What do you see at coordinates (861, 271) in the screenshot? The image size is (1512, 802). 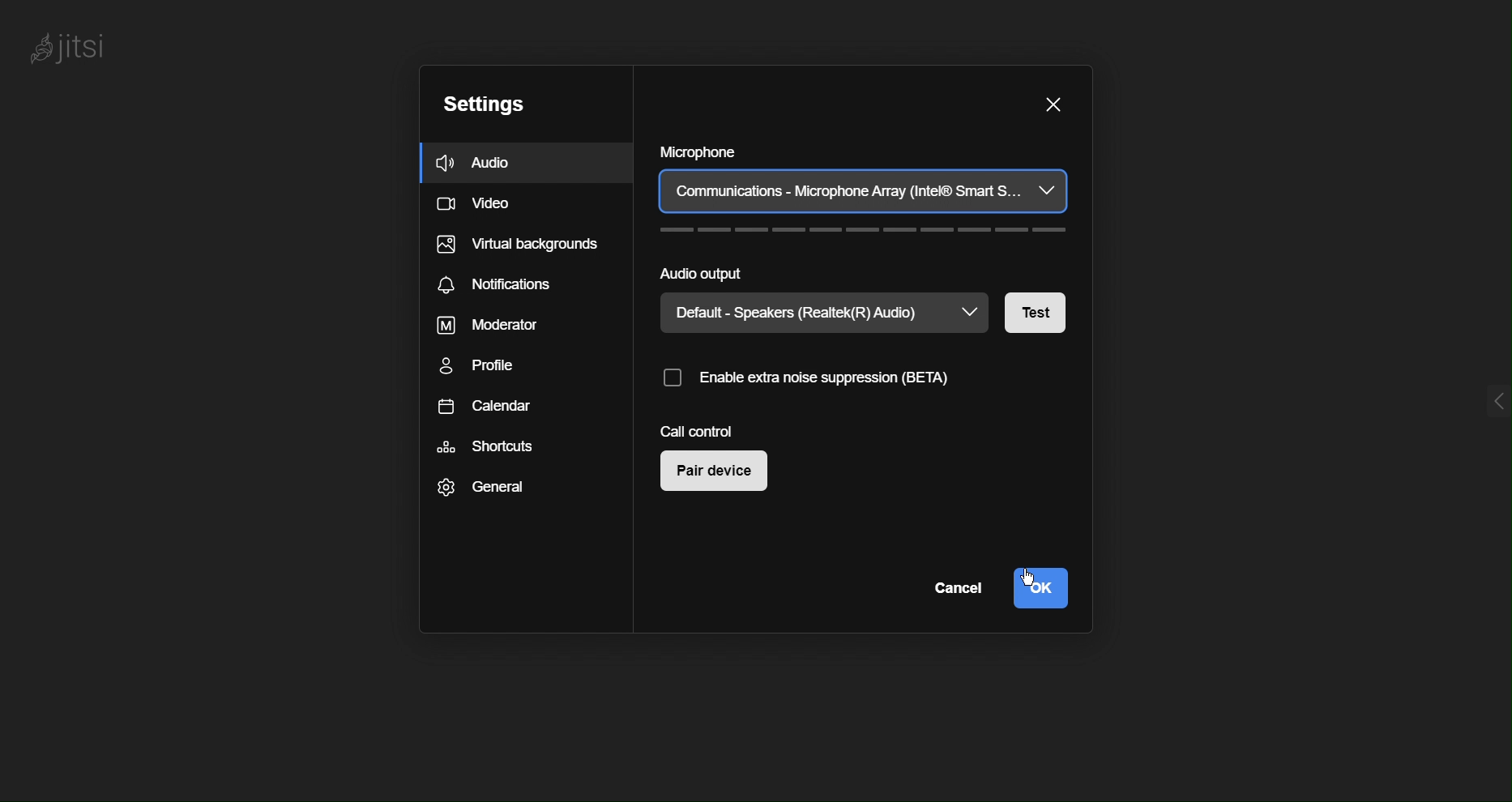 I see `Audio Output` at bounding box center [861, 271].